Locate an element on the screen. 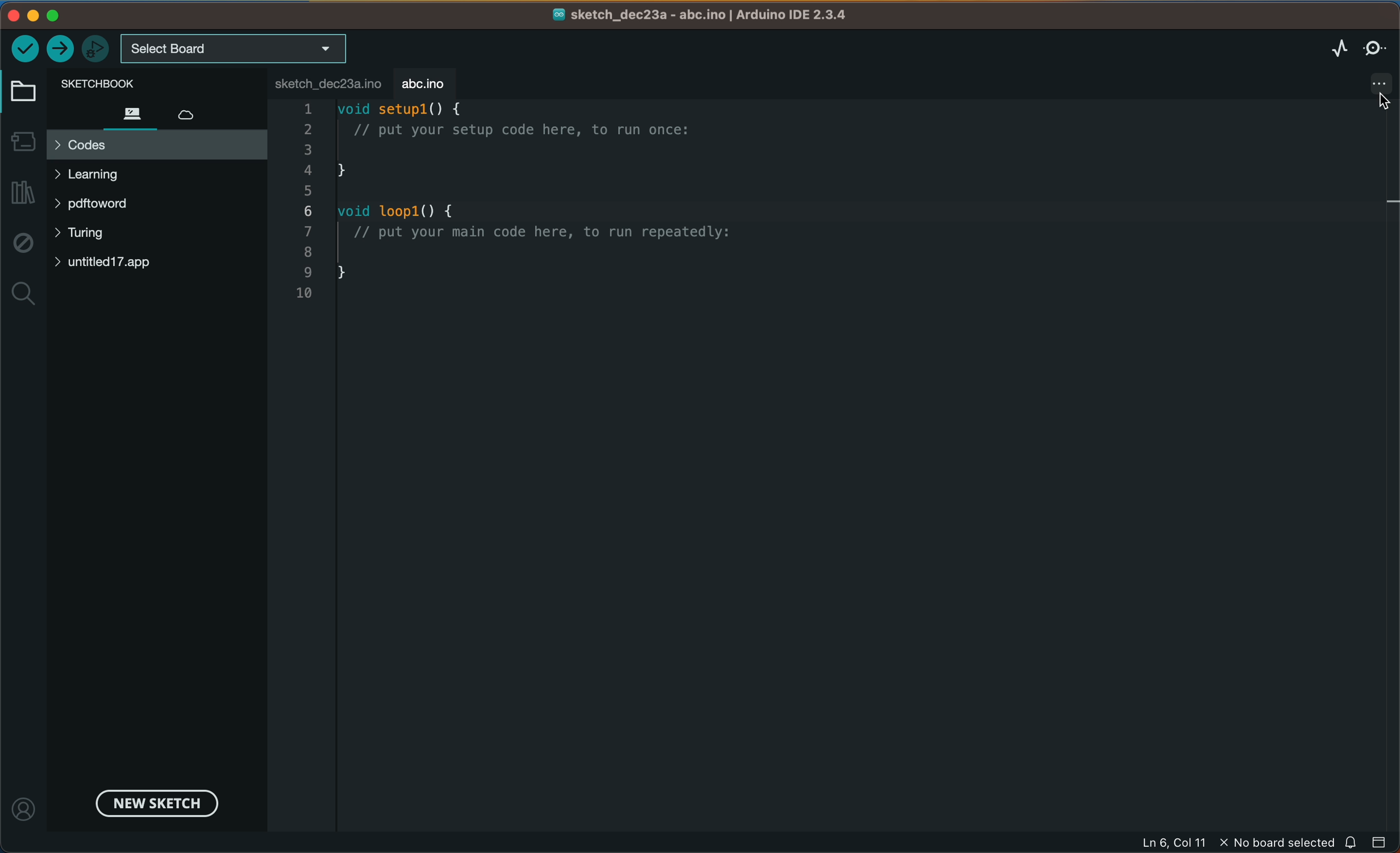  abc is located at coordinates (427, 81).